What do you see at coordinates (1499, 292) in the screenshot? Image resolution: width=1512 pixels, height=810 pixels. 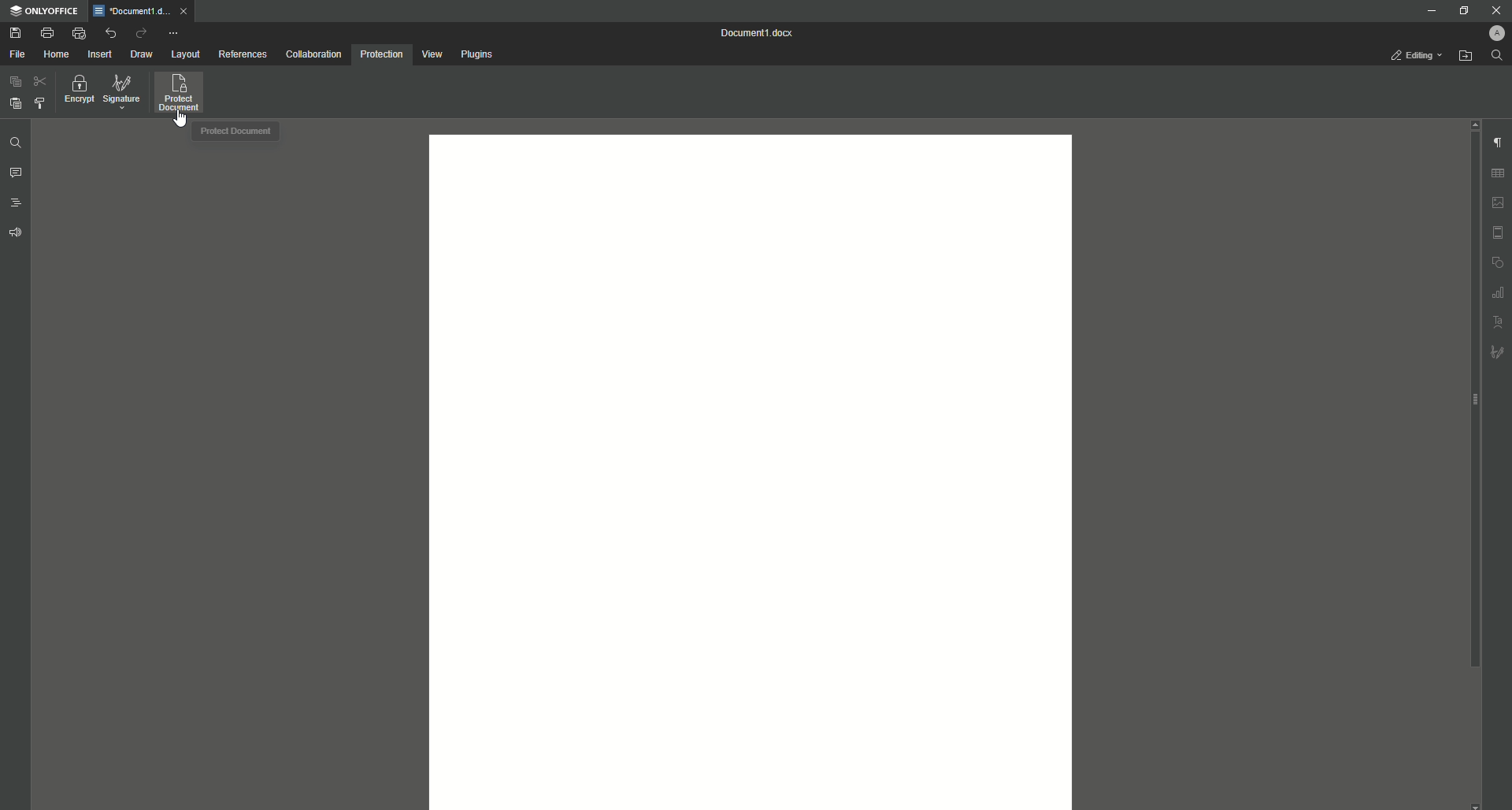 I see `Graph Settings` at bounding box center [1499, 292].